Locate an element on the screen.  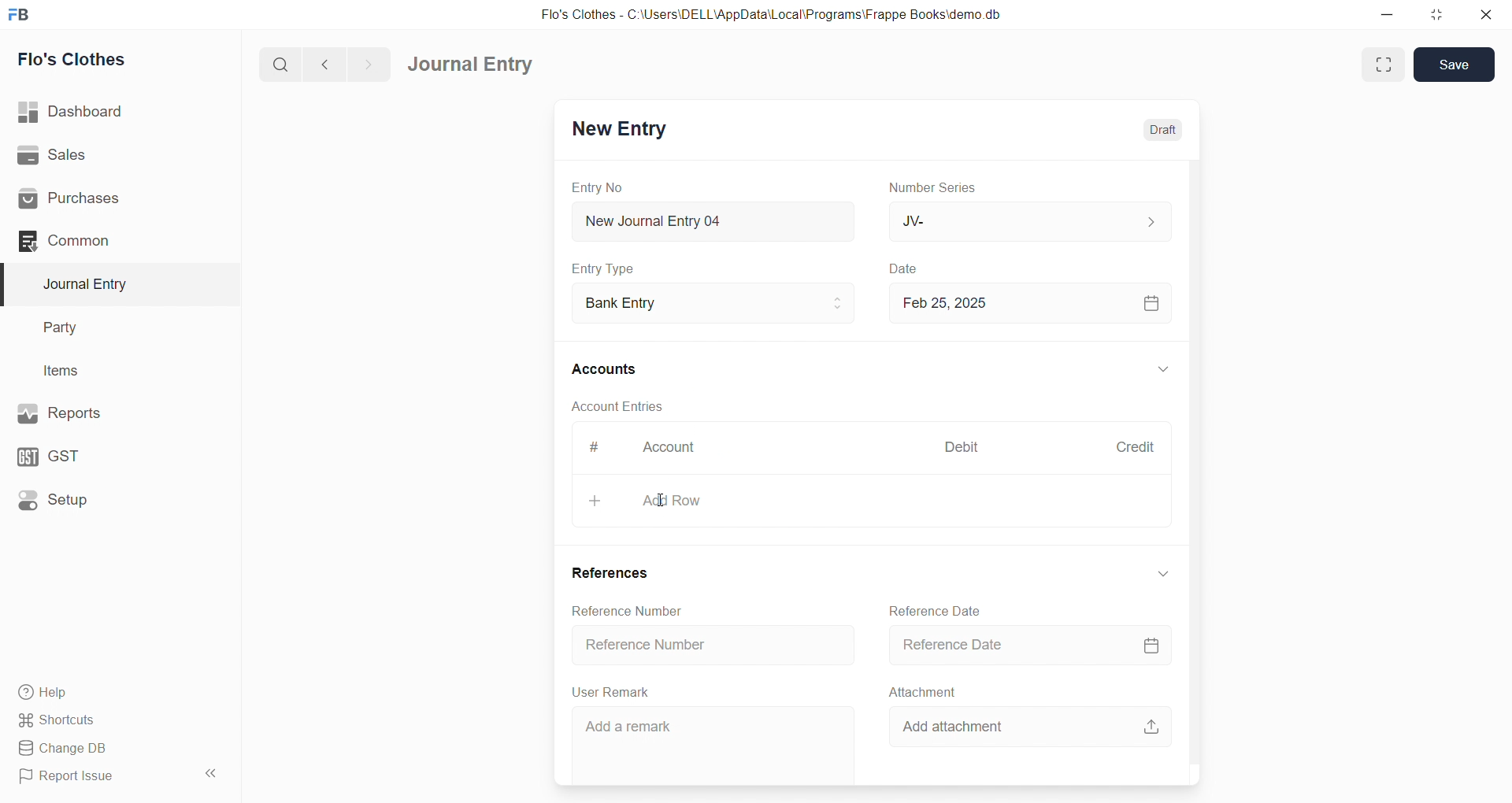
Account is located at coordinates (665, 450).